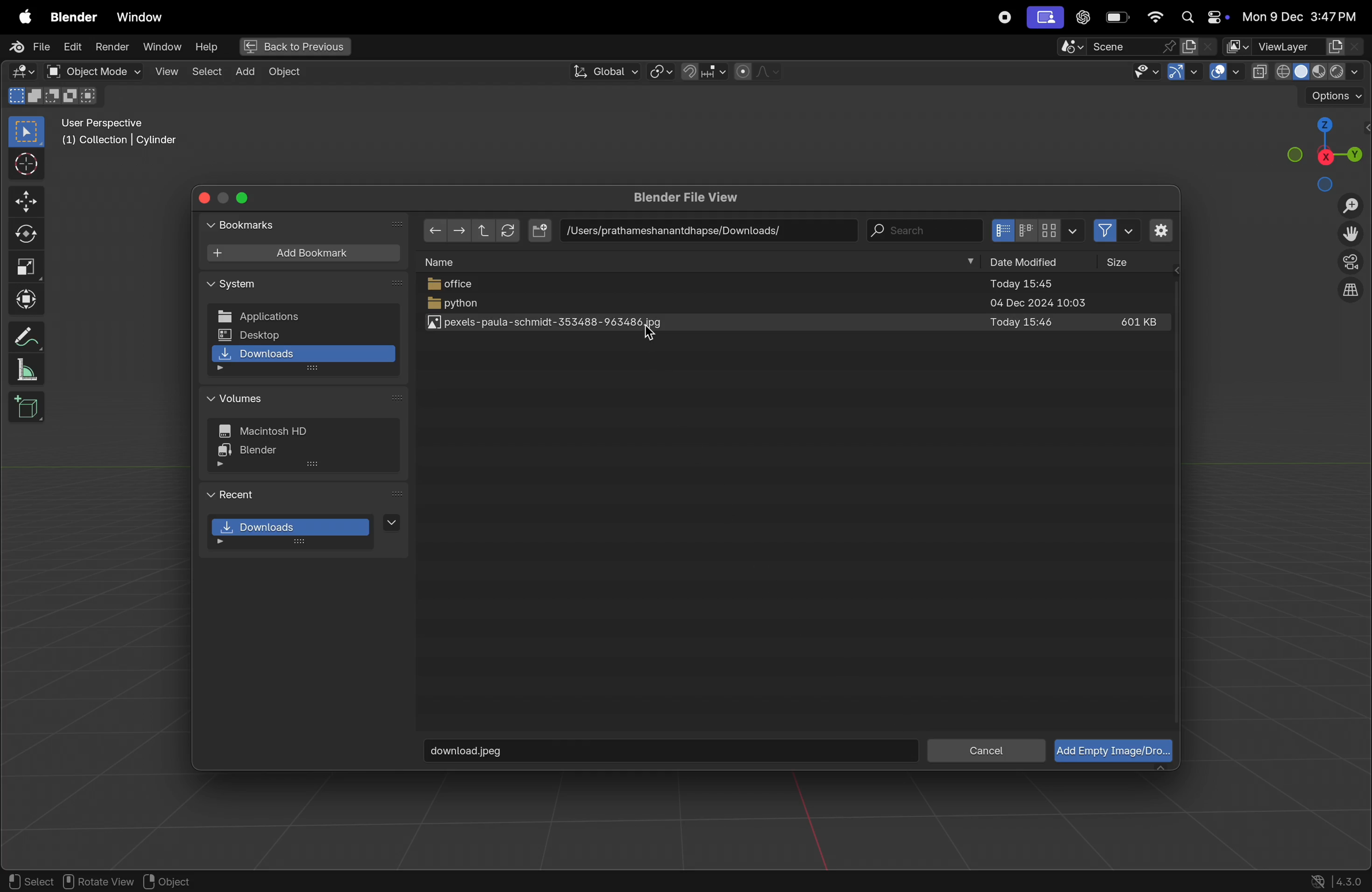 The height and width of the screenshot is (892, 1372). Describe the element at coordinates (1351, 264) in the screenshot. I see `perspective` at that location.